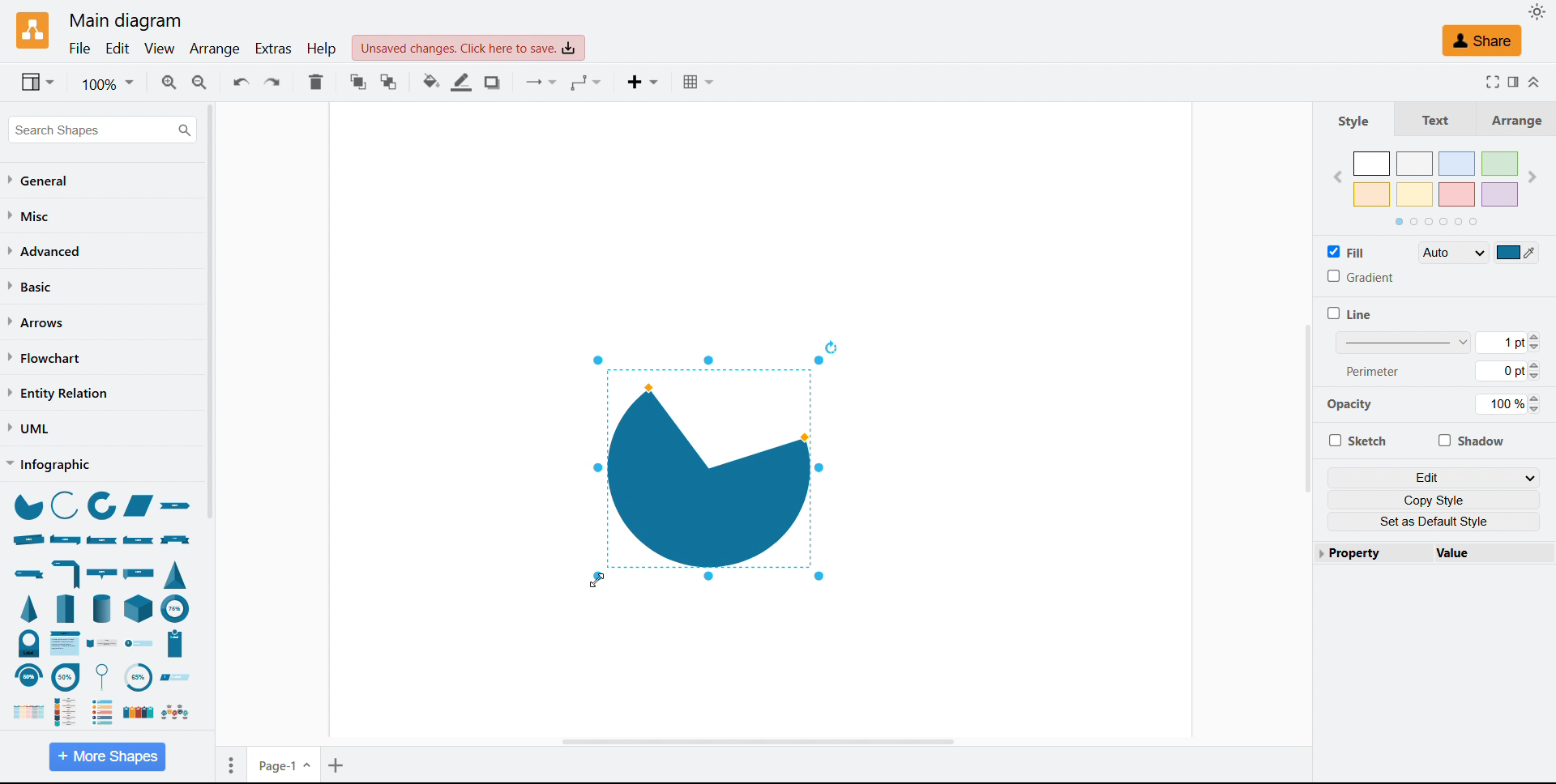 This screenshot has width=1556, height=784. What do you see at coordinates (28, 428) in the screenshot?
I see `UML ` at bounding box center [28, 428].